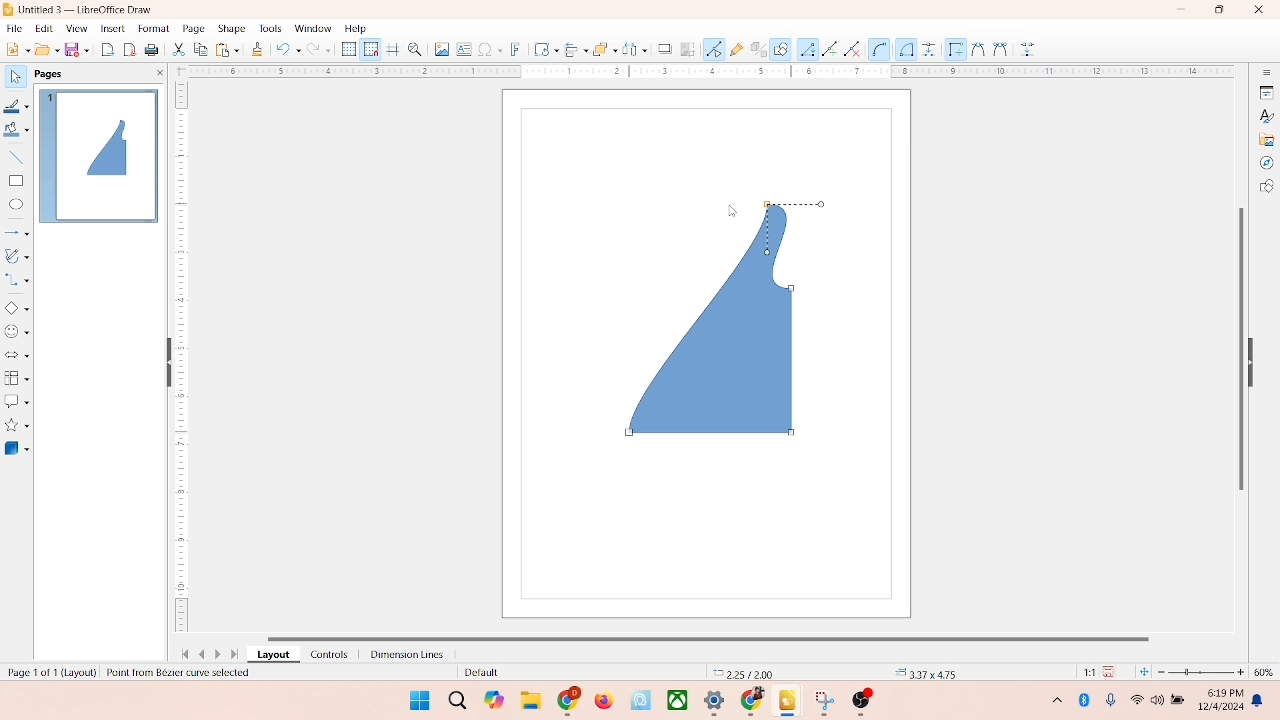  Describe the element at coordinates (724, 636) in the screenshot. I see `horizontal scroll bar` at that location.